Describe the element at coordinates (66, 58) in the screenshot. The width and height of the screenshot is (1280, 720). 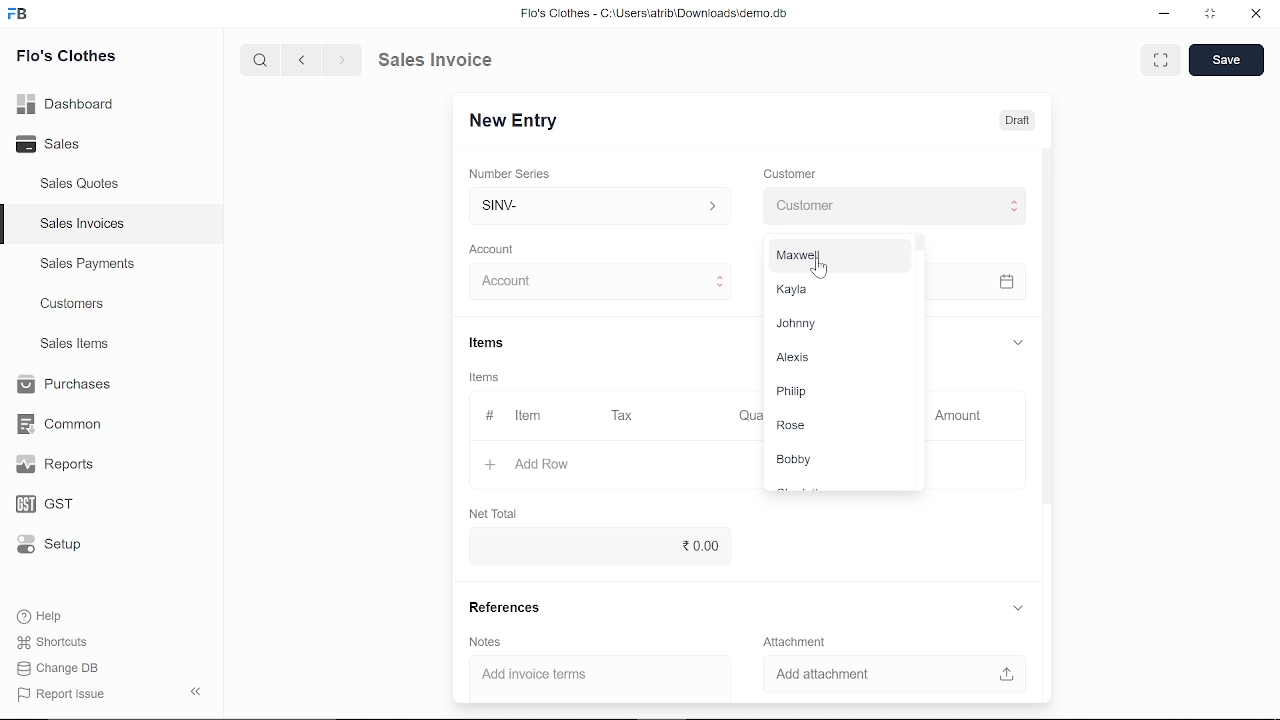
I see `Flo's Clothes` at that location.